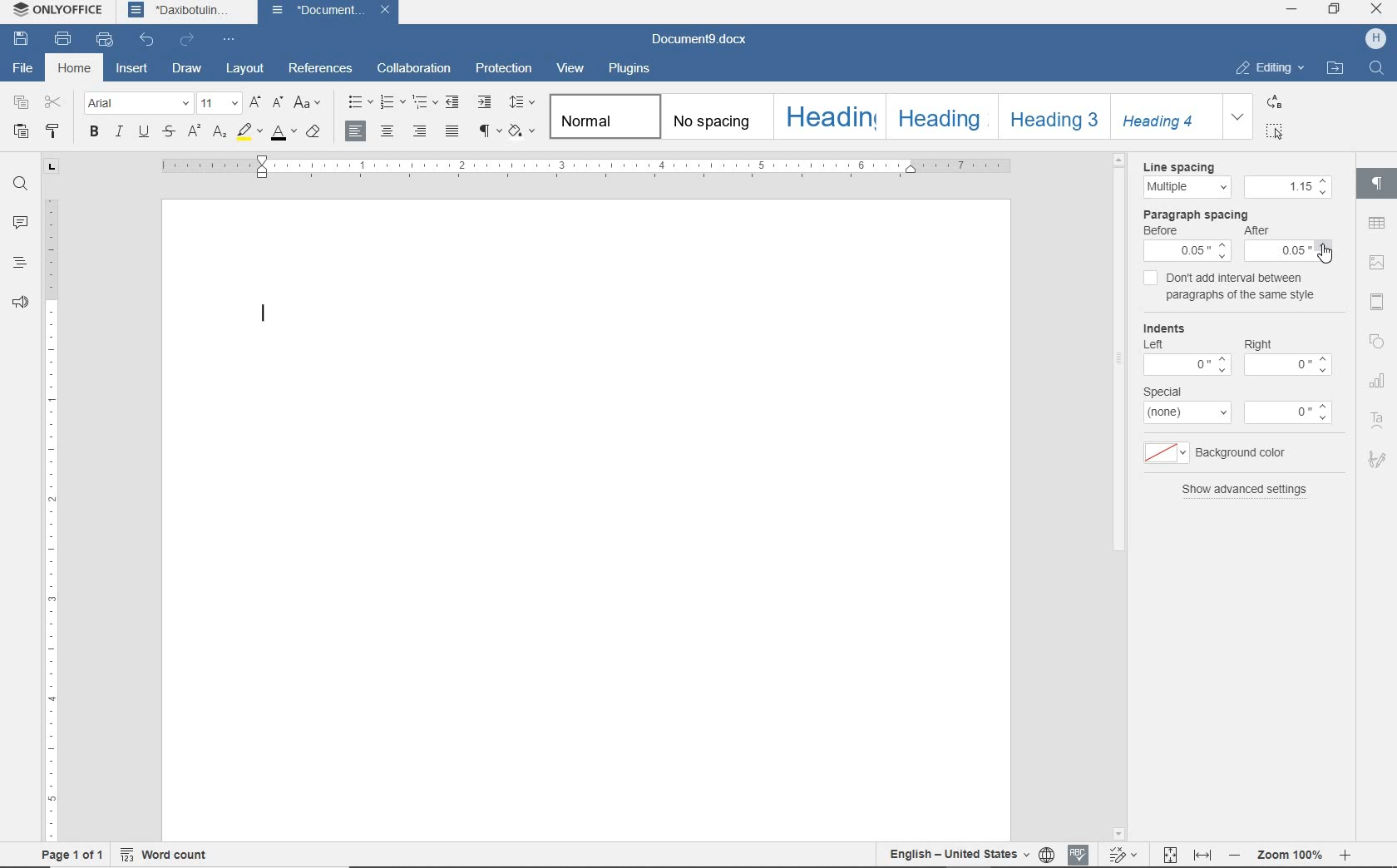  Describe the element at coordinates (1121, 496) in the screenshot. I see `scroll bar` at that location.